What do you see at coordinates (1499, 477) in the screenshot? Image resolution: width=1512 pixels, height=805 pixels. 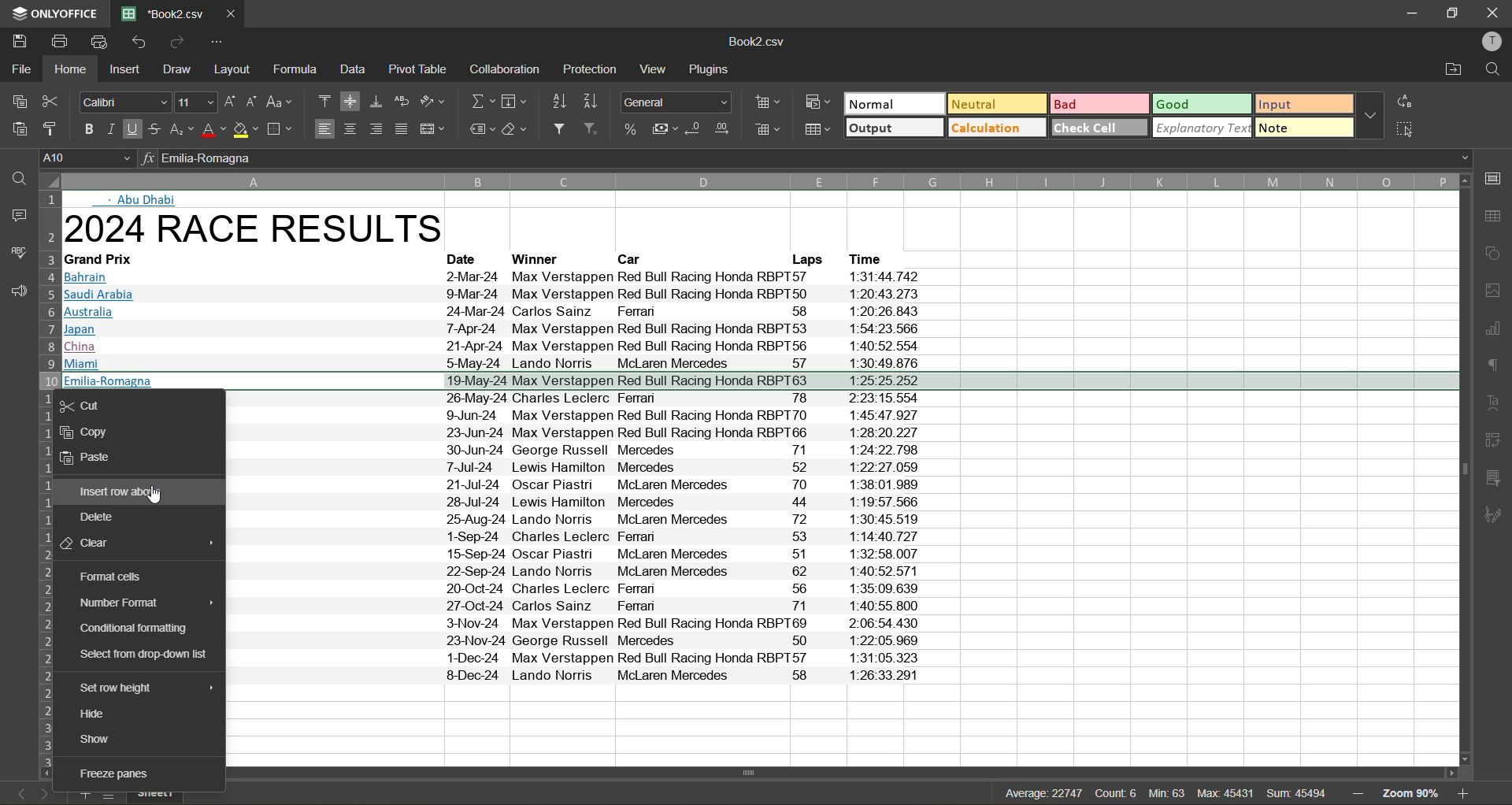 I see `slicer` at bounding box center [1499, 477].